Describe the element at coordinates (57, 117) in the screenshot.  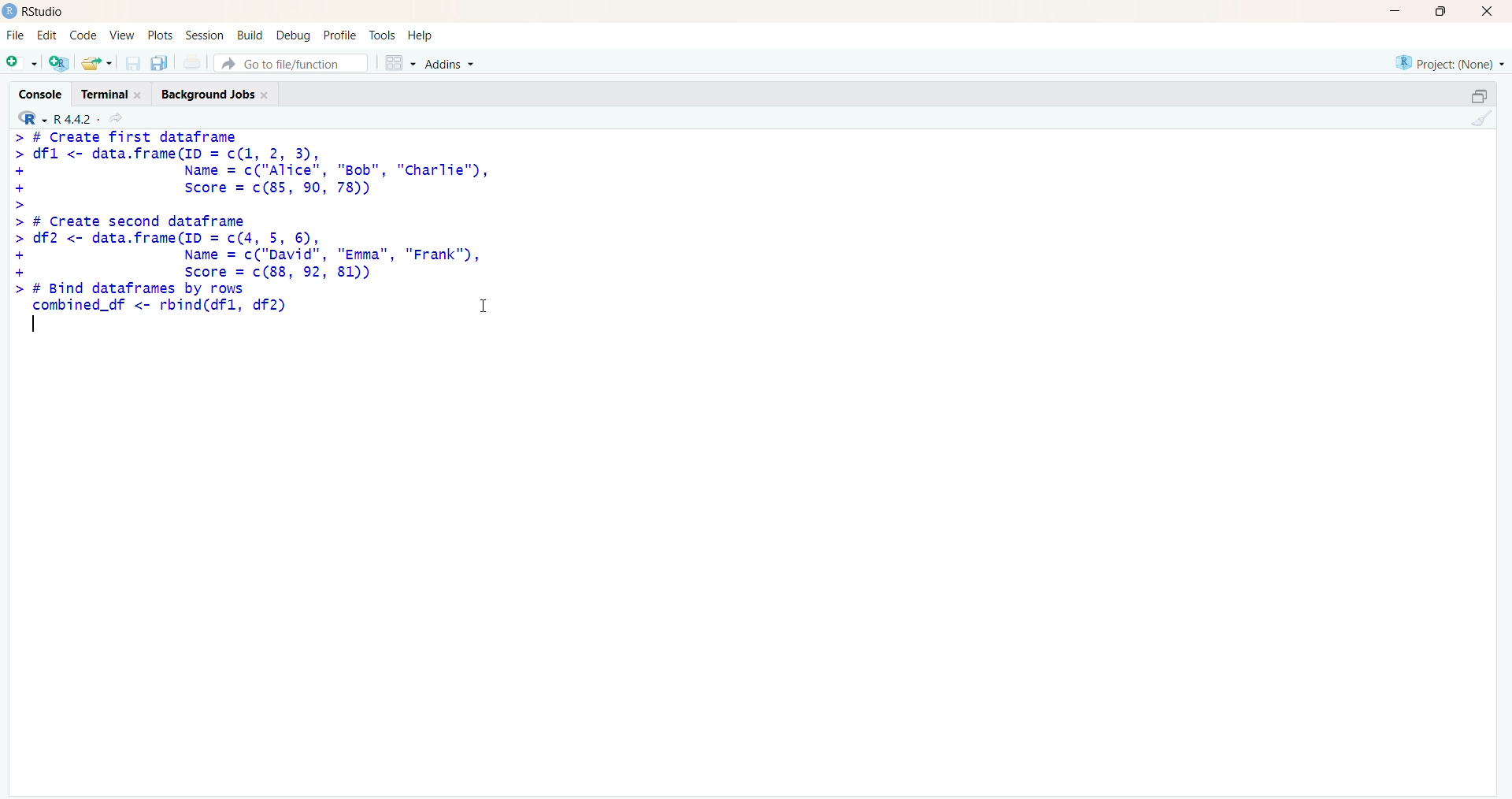
I see ` R 4.4.2 ` at that location.